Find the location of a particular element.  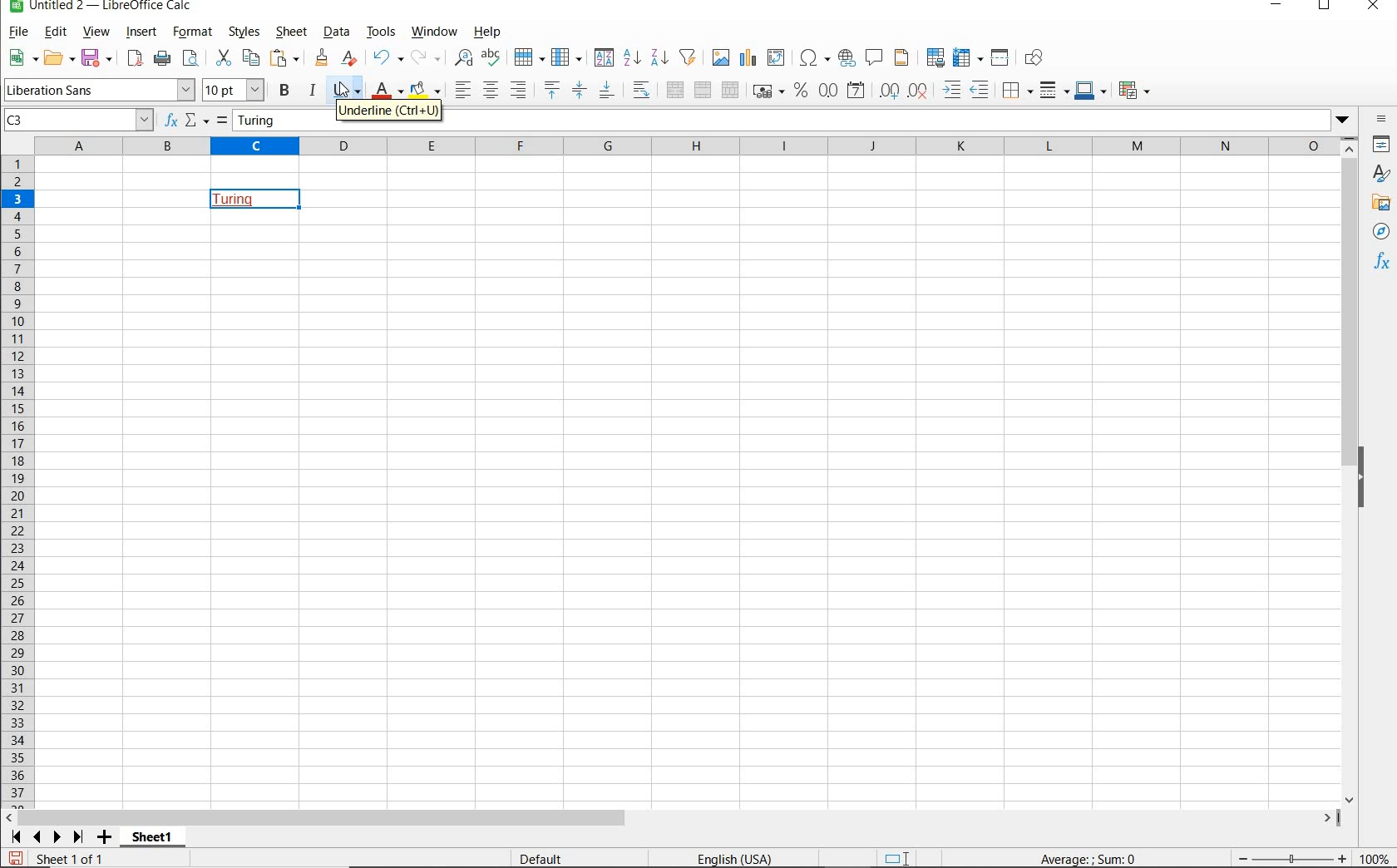

BOLD is located at coordinates (287, 91).